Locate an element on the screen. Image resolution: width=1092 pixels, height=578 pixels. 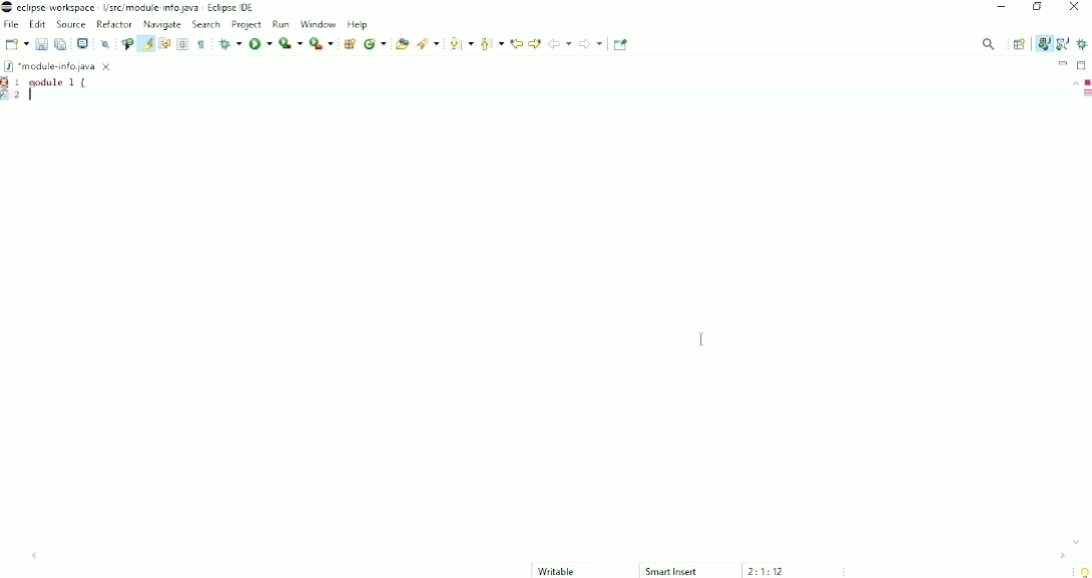
Toggle block selection mode is located at coordinates (183, 44).